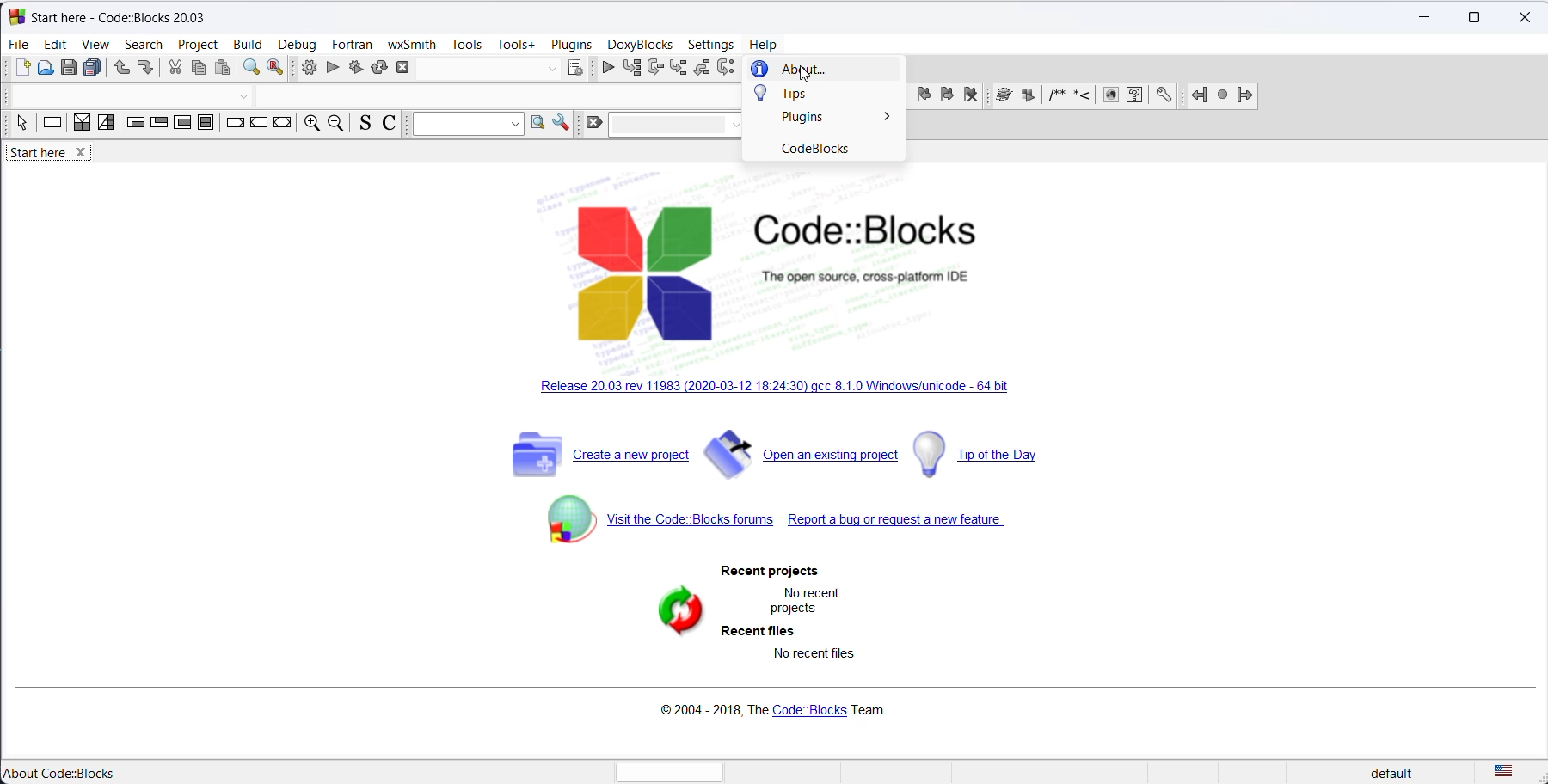  Describe the element at coordinates (677, 68) in the screenshot. I see `step into` at that location.